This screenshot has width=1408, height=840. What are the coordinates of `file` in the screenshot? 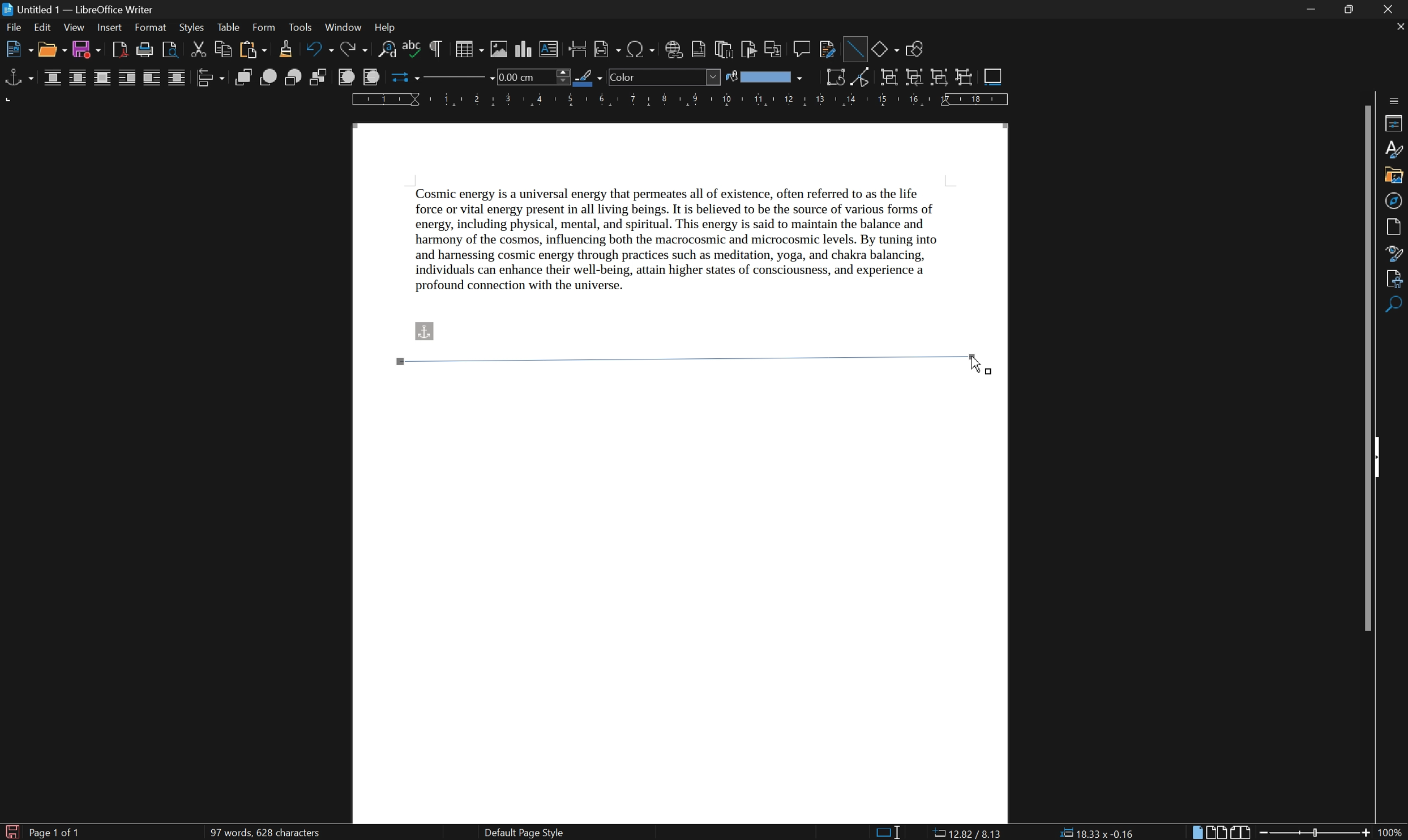 It's located at (15, 29).